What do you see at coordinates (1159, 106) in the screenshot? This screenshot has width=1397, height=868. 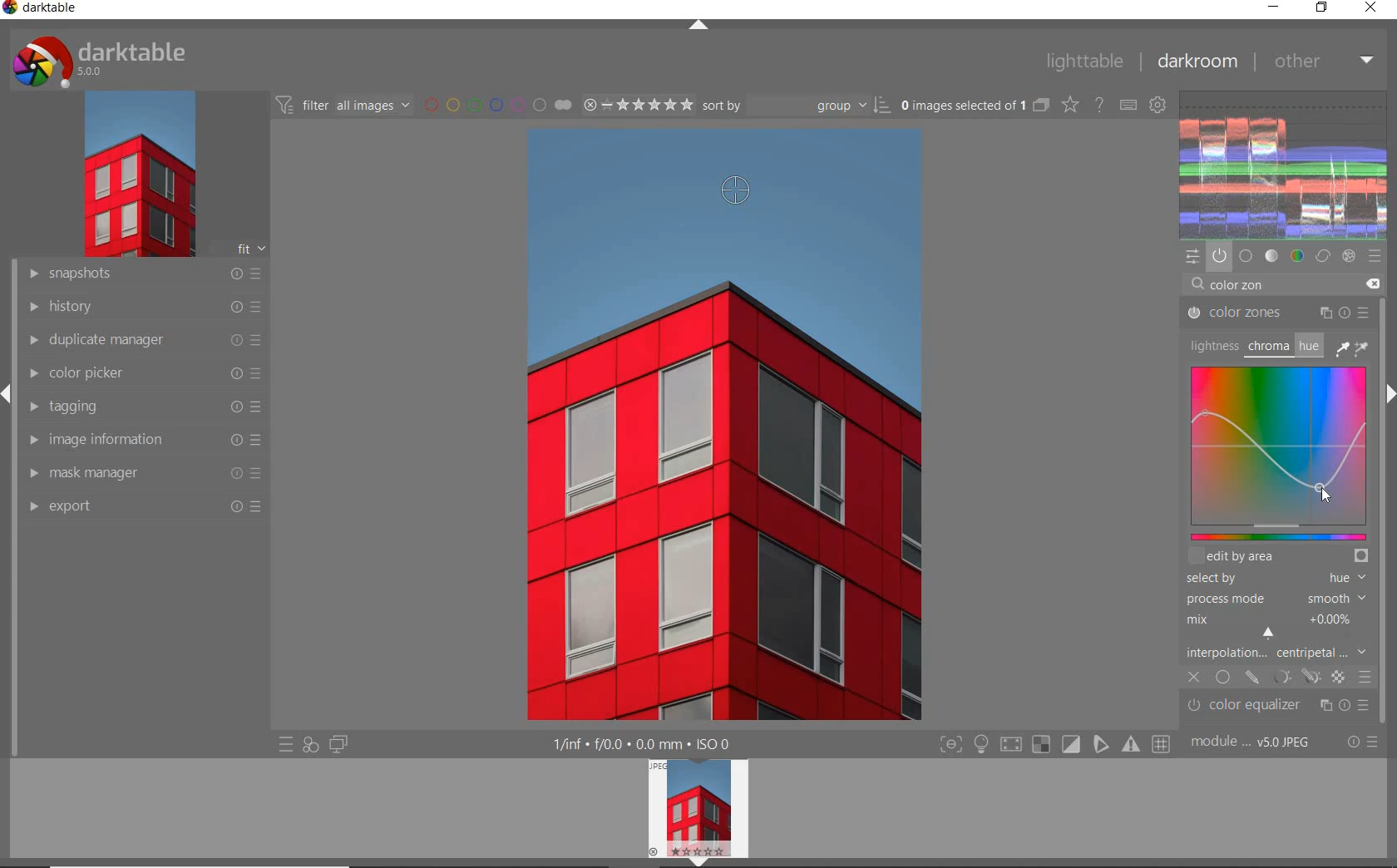 I see `show global preferences` at bounding box center [1159, 106].